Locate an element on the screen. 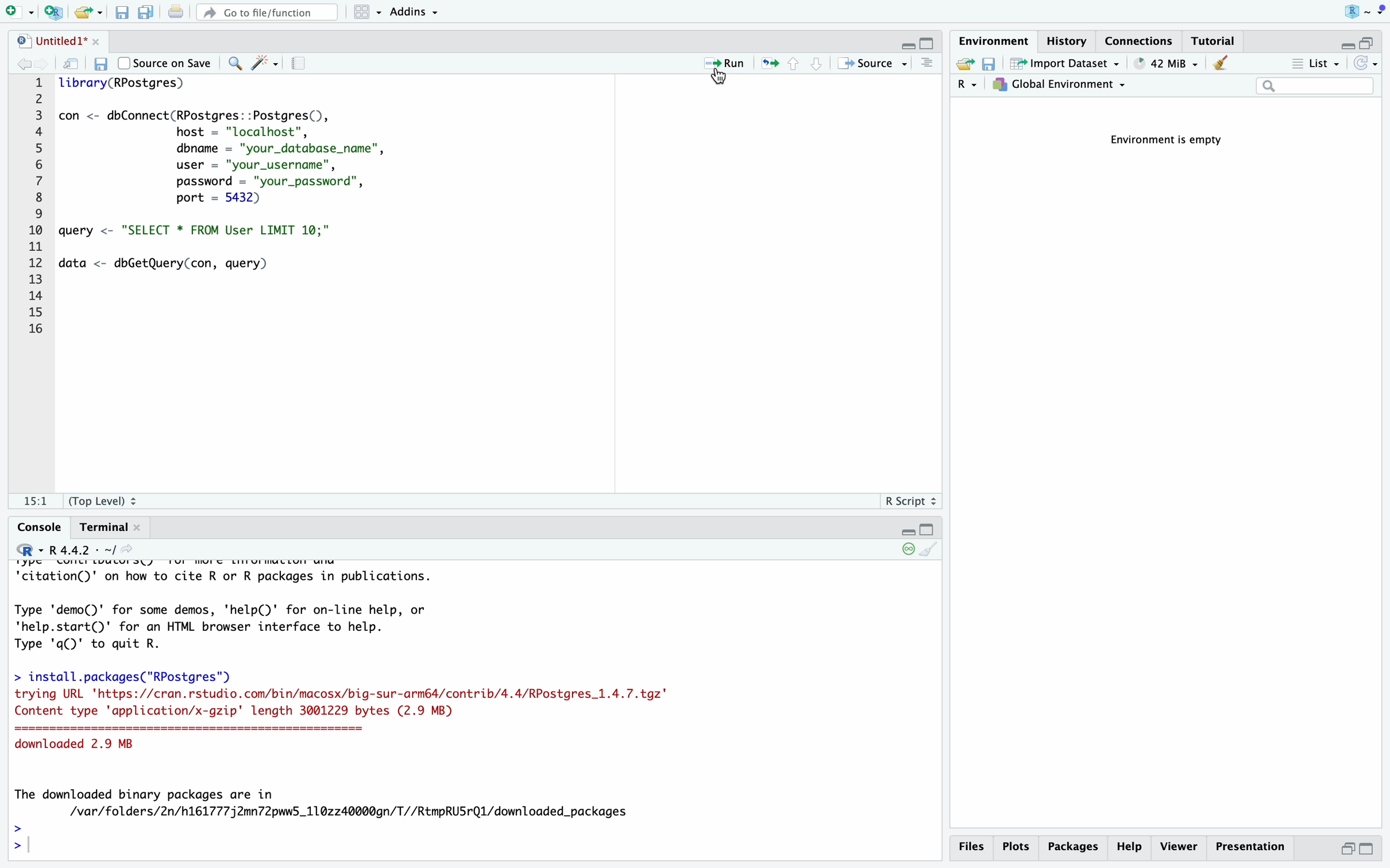 The height and width of the screenshot is (868, 1390). 1:1 is located at coordinates (29, 503).